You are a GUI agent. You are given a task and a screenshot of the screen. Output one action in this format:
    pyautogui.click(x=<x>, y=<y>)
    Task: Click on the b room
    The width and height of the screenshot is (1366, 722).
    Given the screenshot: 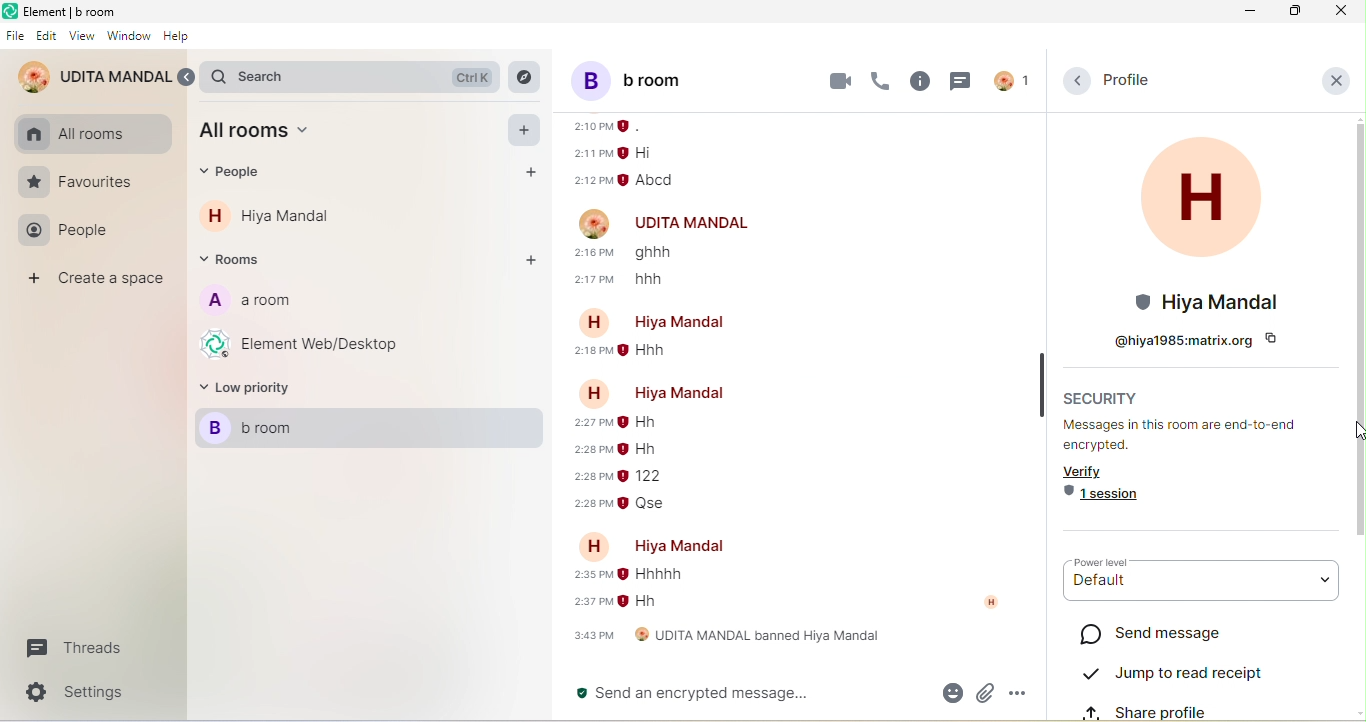 What is the action you would take?
    pyautogui.click(x=373, y=430)
    